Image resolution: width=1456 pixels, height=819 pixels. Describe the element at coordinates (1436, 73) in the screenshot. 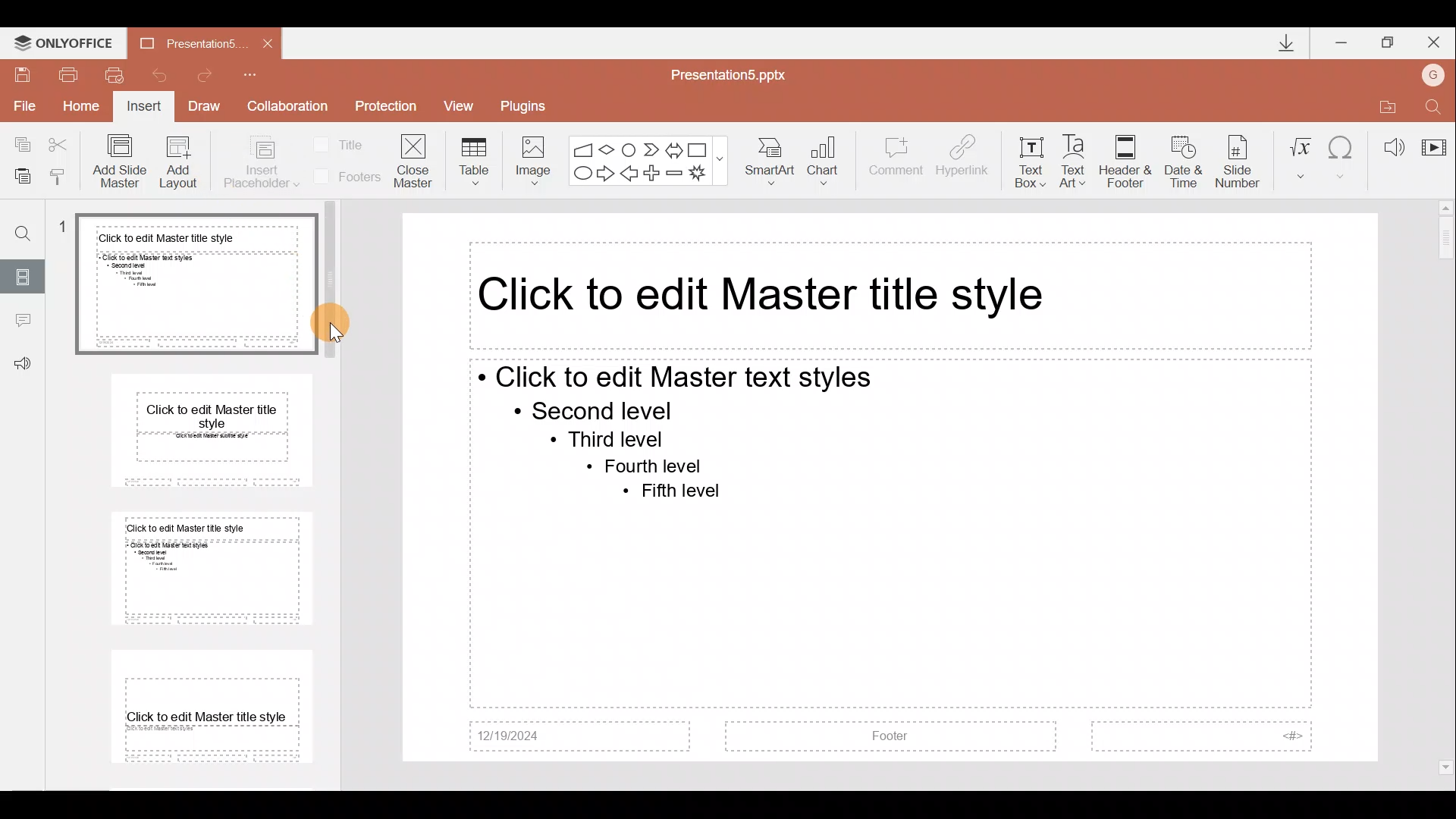

I see `Account name` at that location.